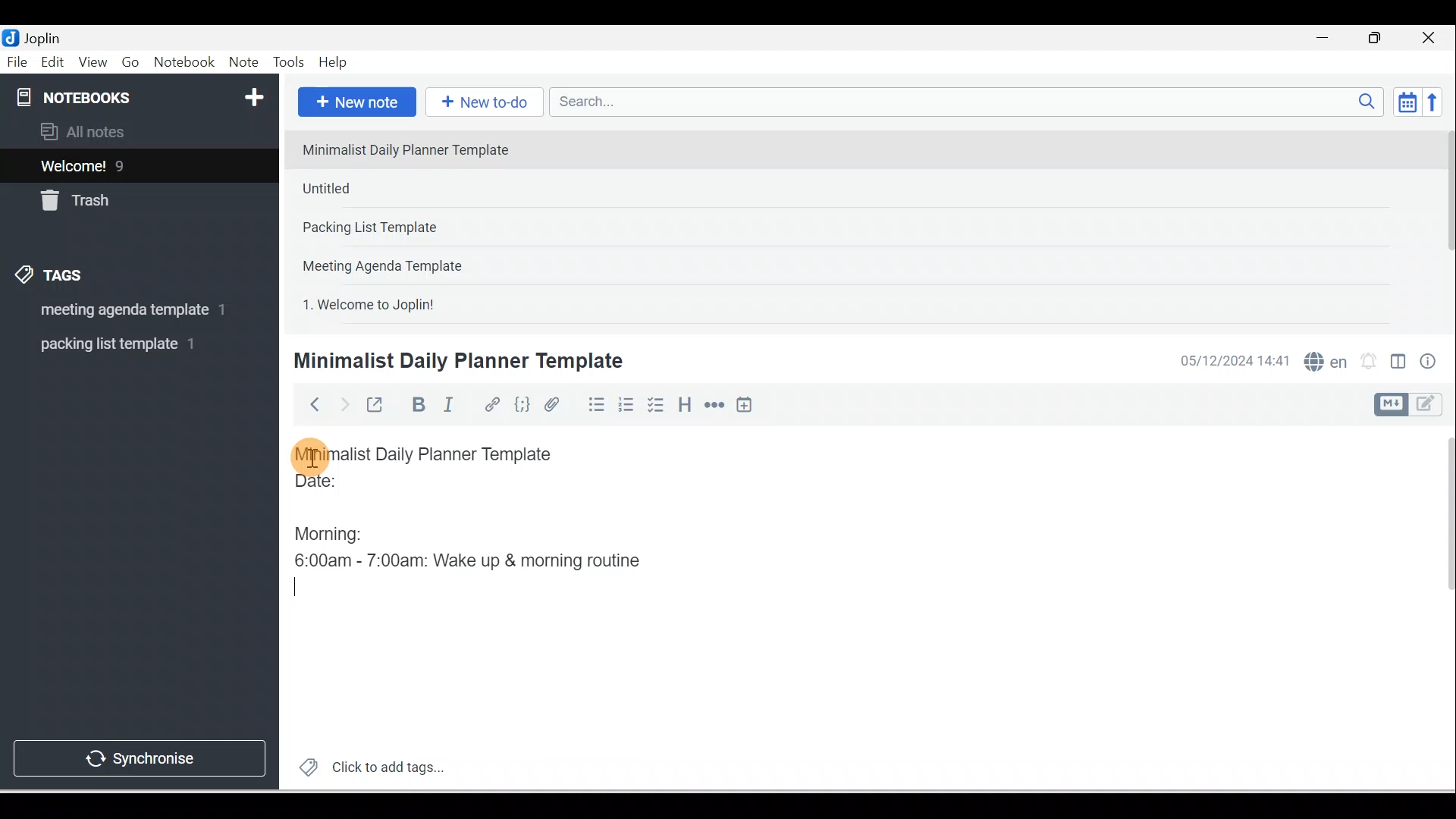  What do you see at coordinates (1414, 405) in the screenshot?
I see `Toggle editor layout` at bounding box center [1414, 405].